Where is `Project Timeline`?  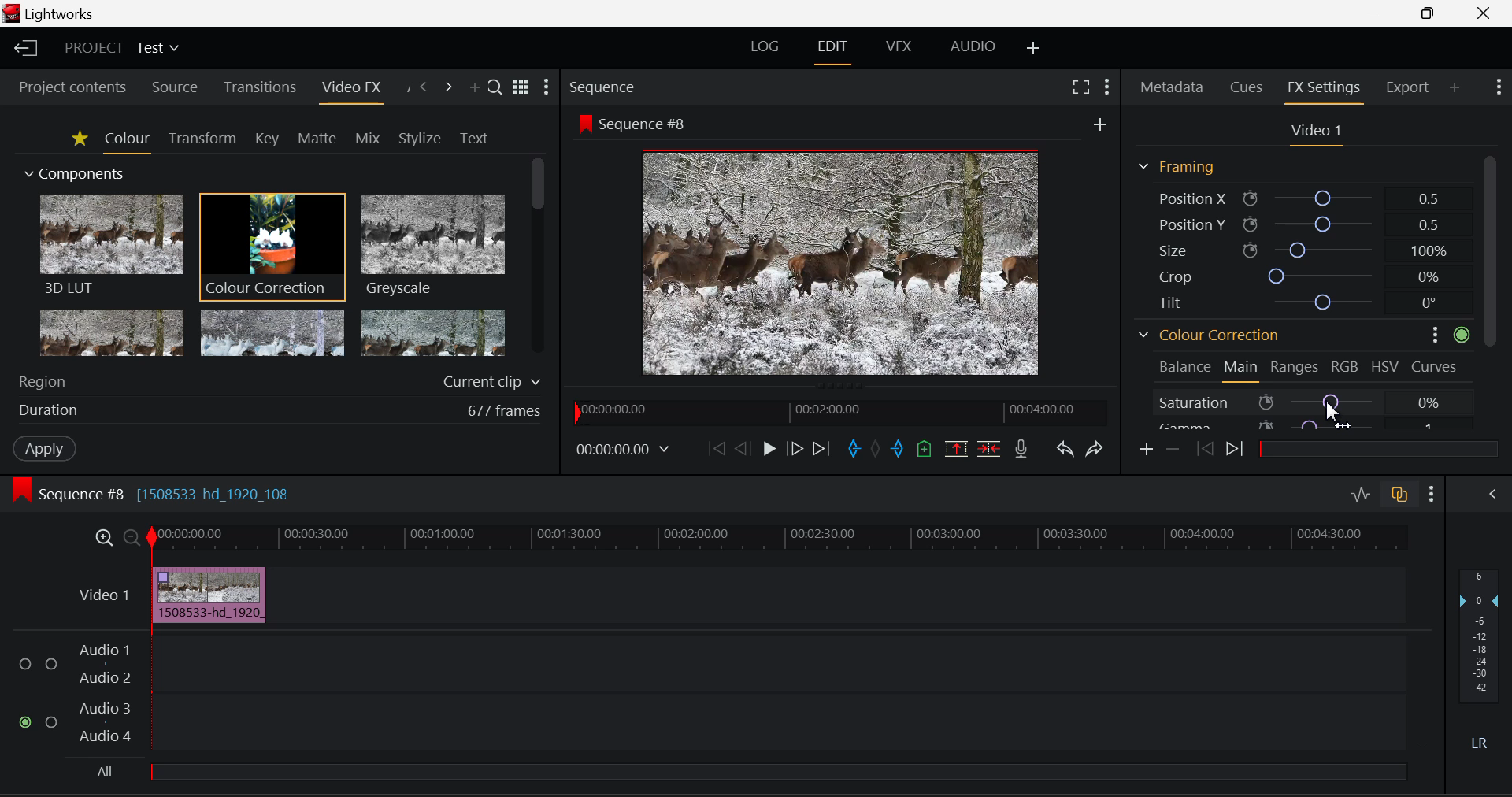
Project Timeline is located at coordinates (775, 539).